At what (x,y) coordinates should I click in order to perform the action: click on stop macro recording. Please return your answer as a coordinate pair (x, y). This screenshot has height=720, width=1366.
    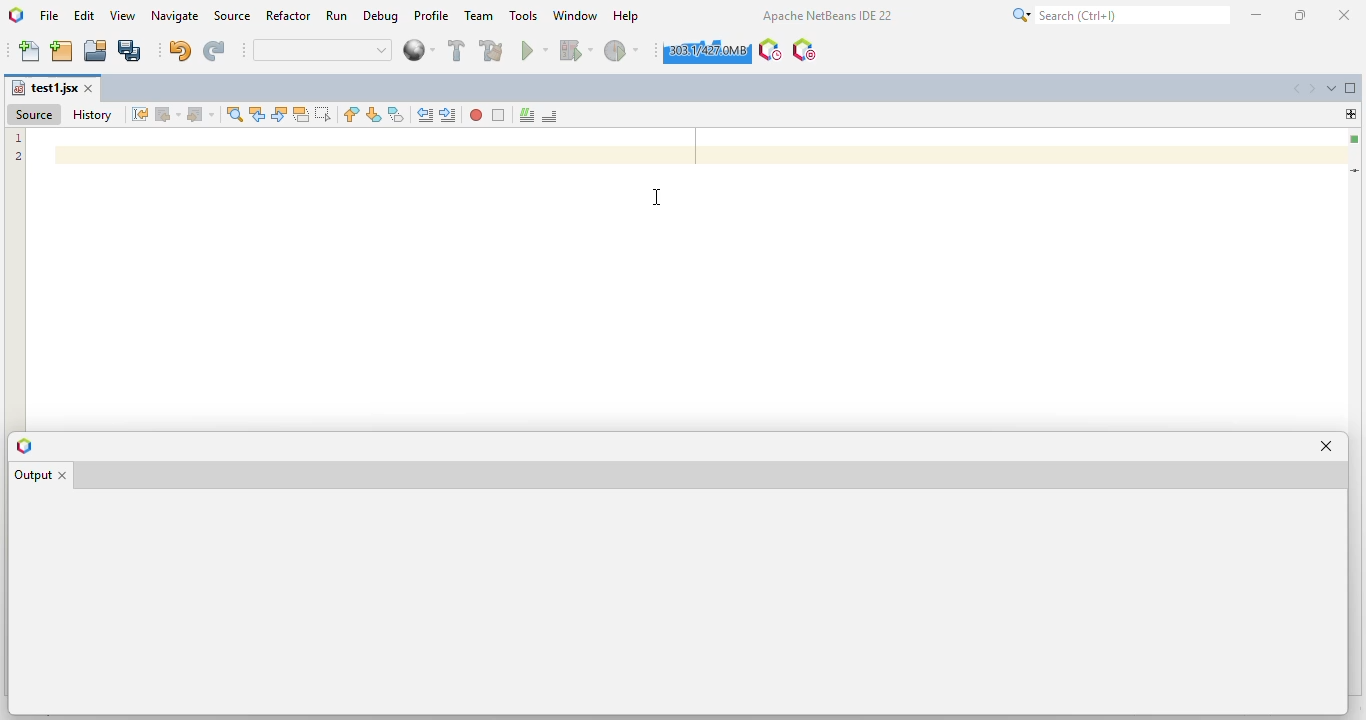
    Looking at the image, I should click on (499, 116).